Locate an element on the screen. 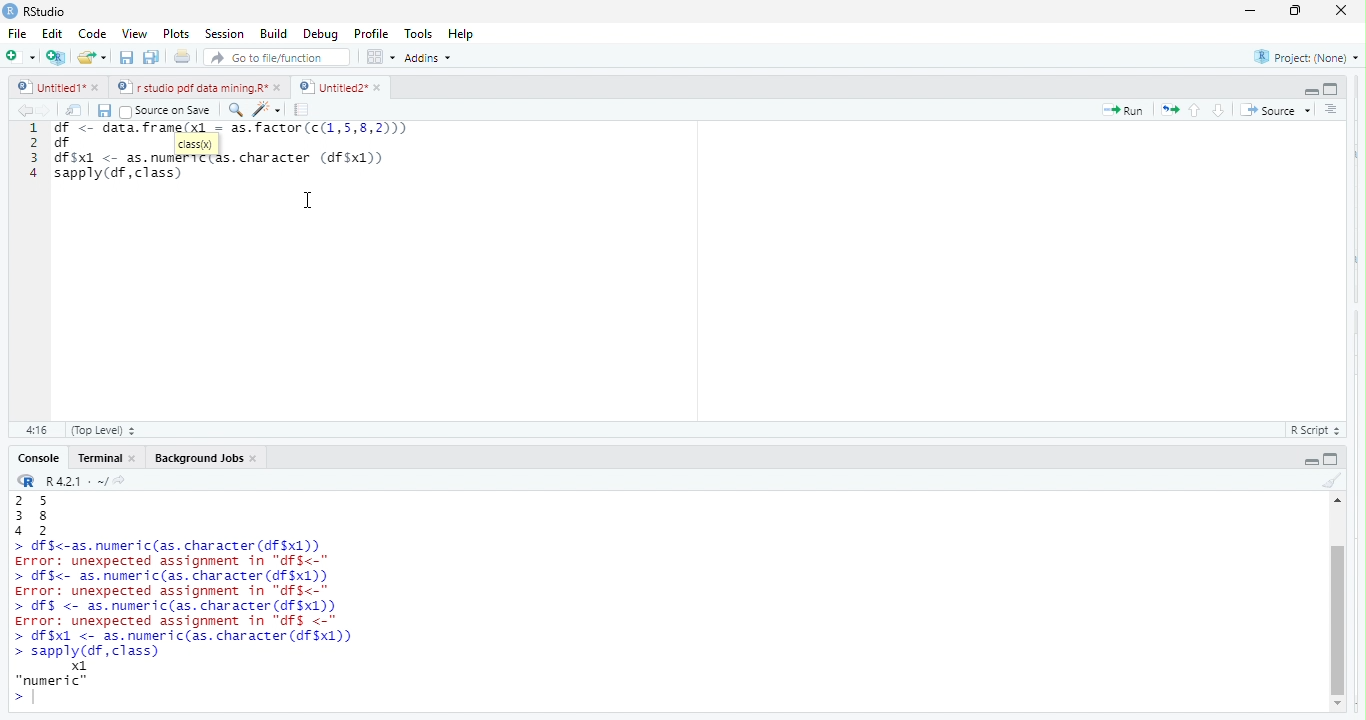 The height and width of the screenshot is (720, 1366). go to next section /chunk is located at coordinates (1220, 112).